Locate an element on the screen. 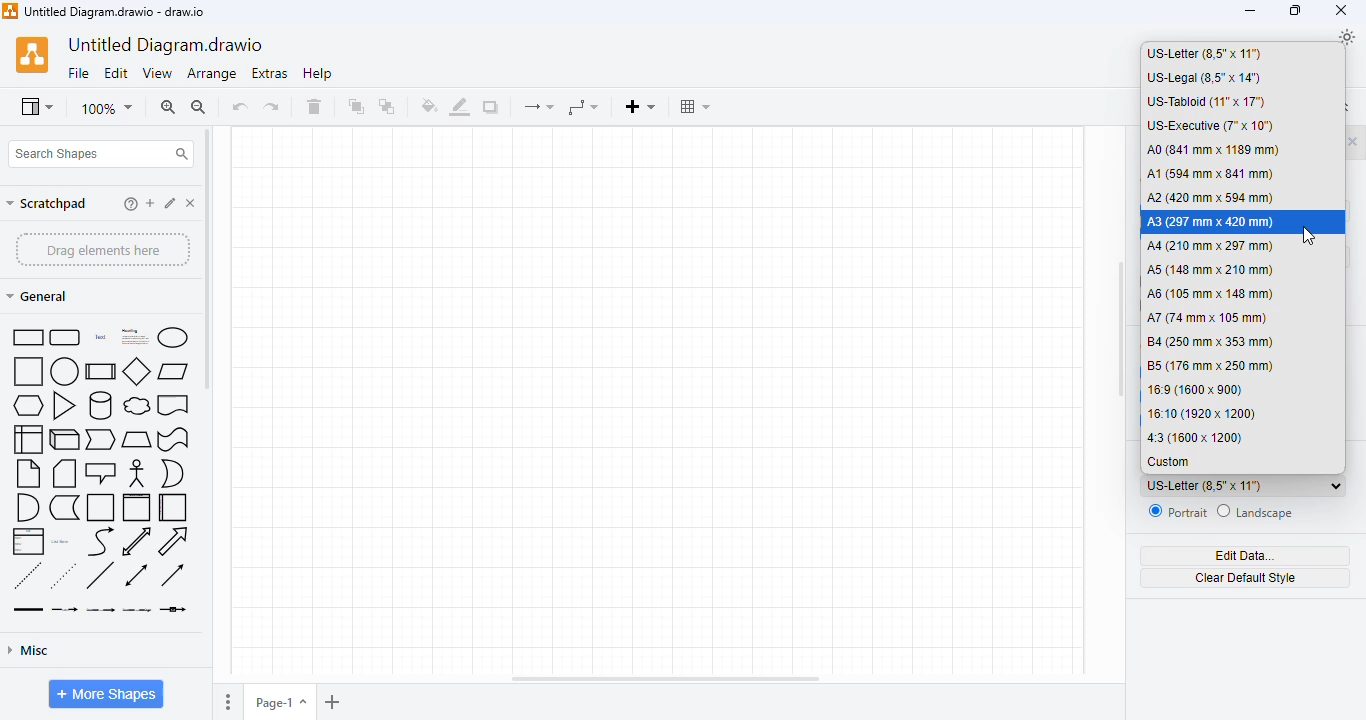 The width and height of the screenshot is (1366, 720). curve is located at coordinates (102, 541).